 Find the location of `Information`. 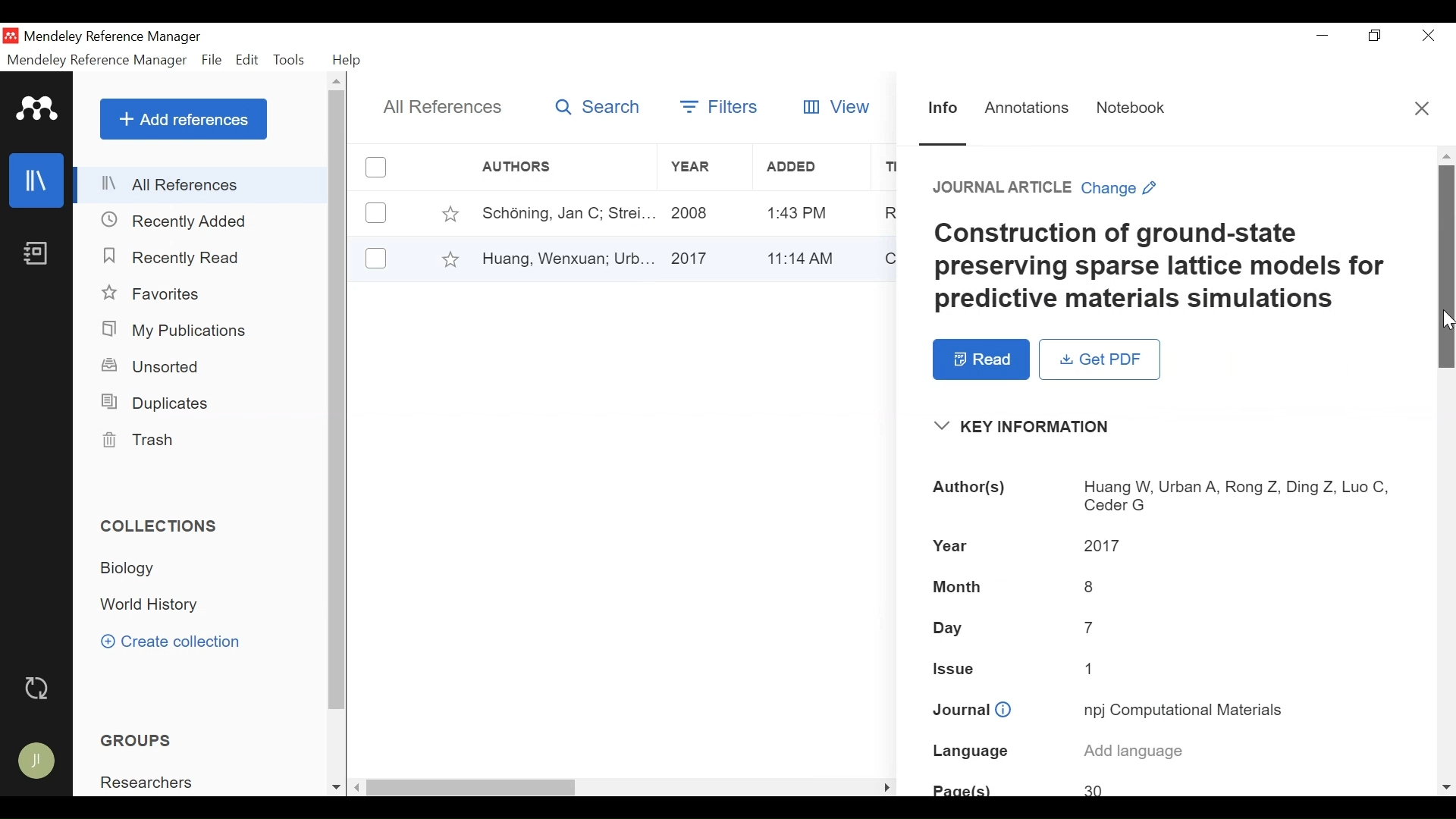

Information is located at coordinates (944, 109).